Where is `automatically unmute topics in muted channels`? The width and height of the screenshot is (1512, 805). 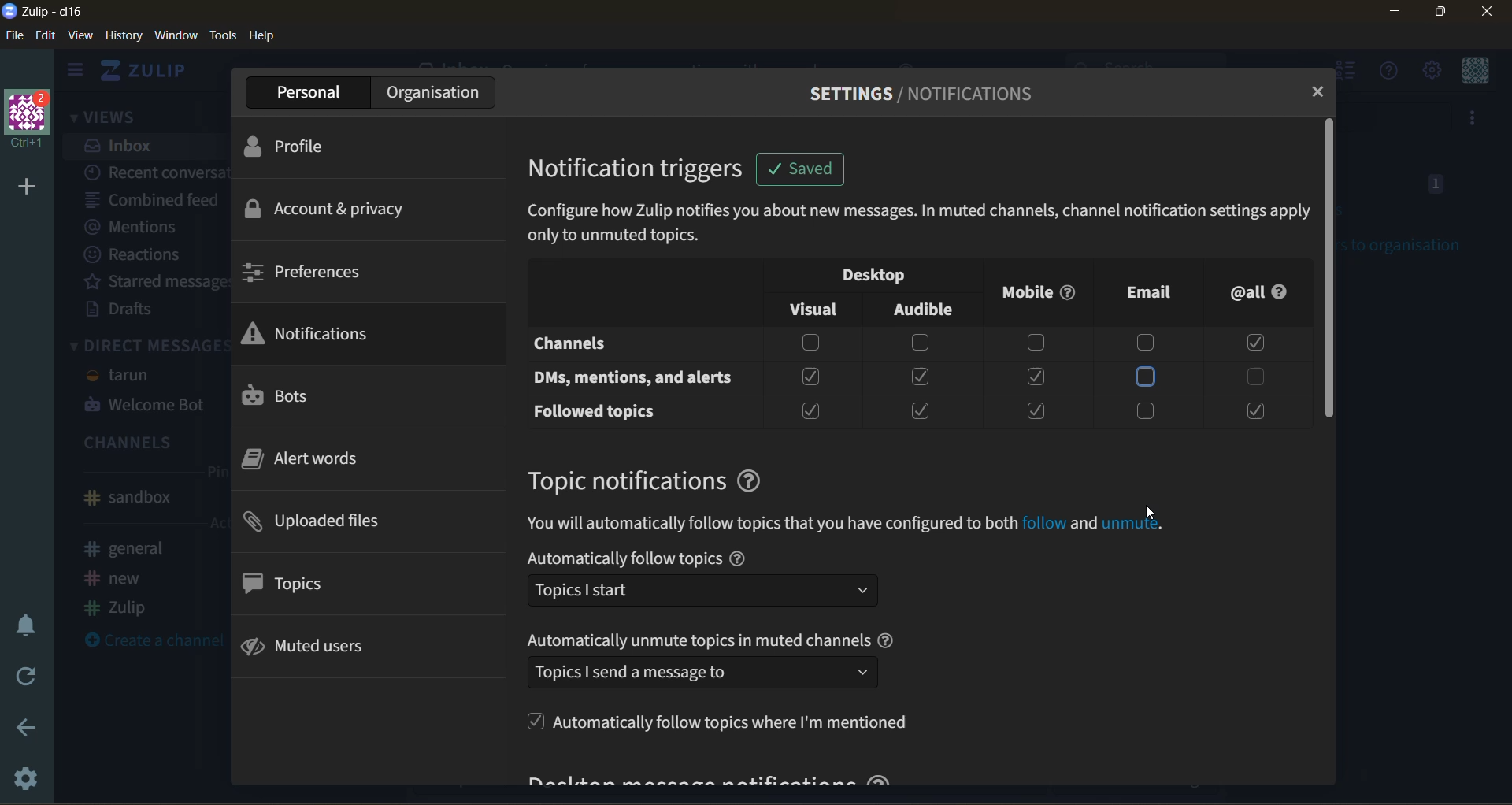 automatically unmute topics in muted channels is located at coordinates (717, 660).